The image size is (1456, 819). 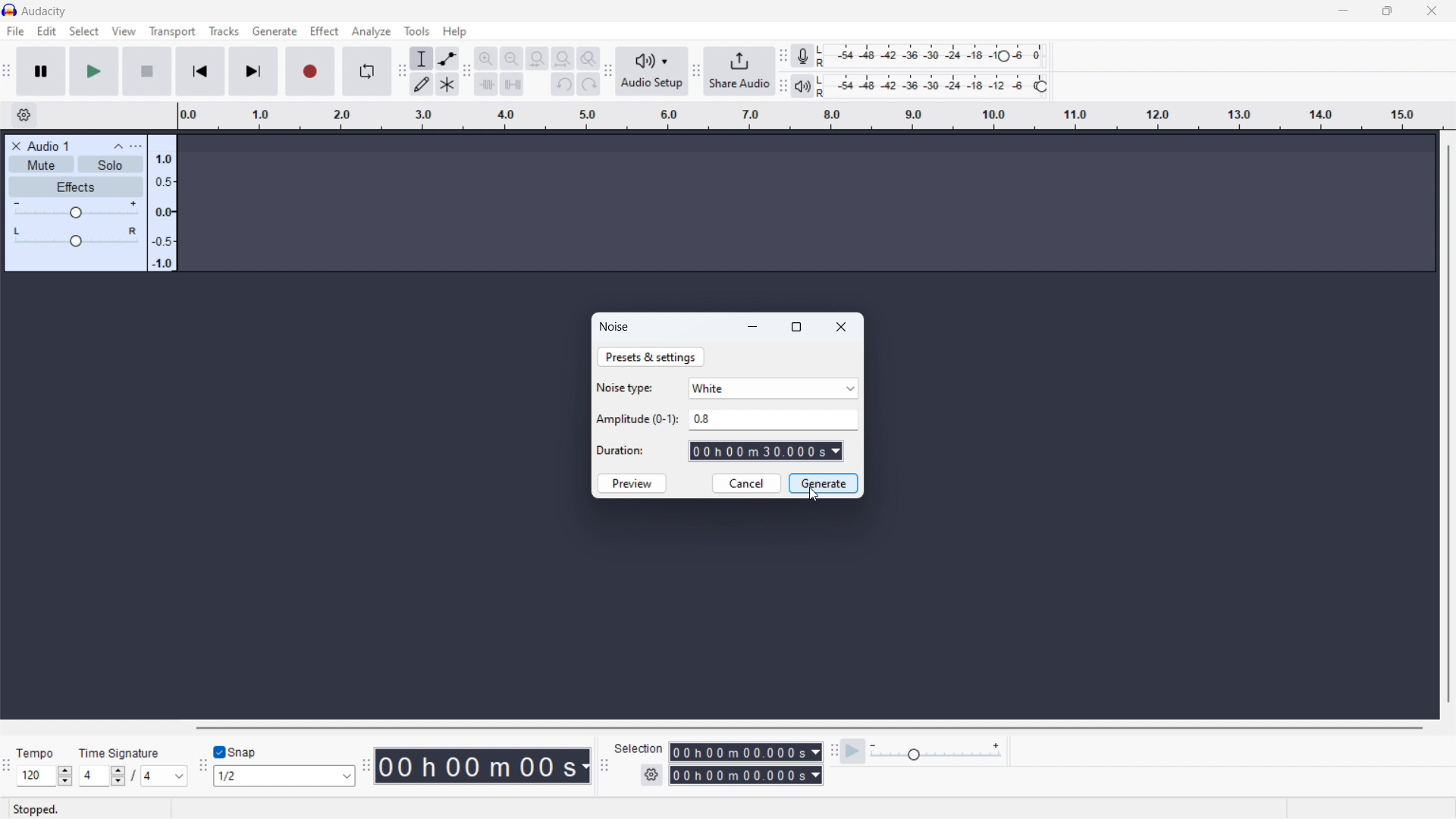 I want to click on set amplitude, so click(x=773, y=419).